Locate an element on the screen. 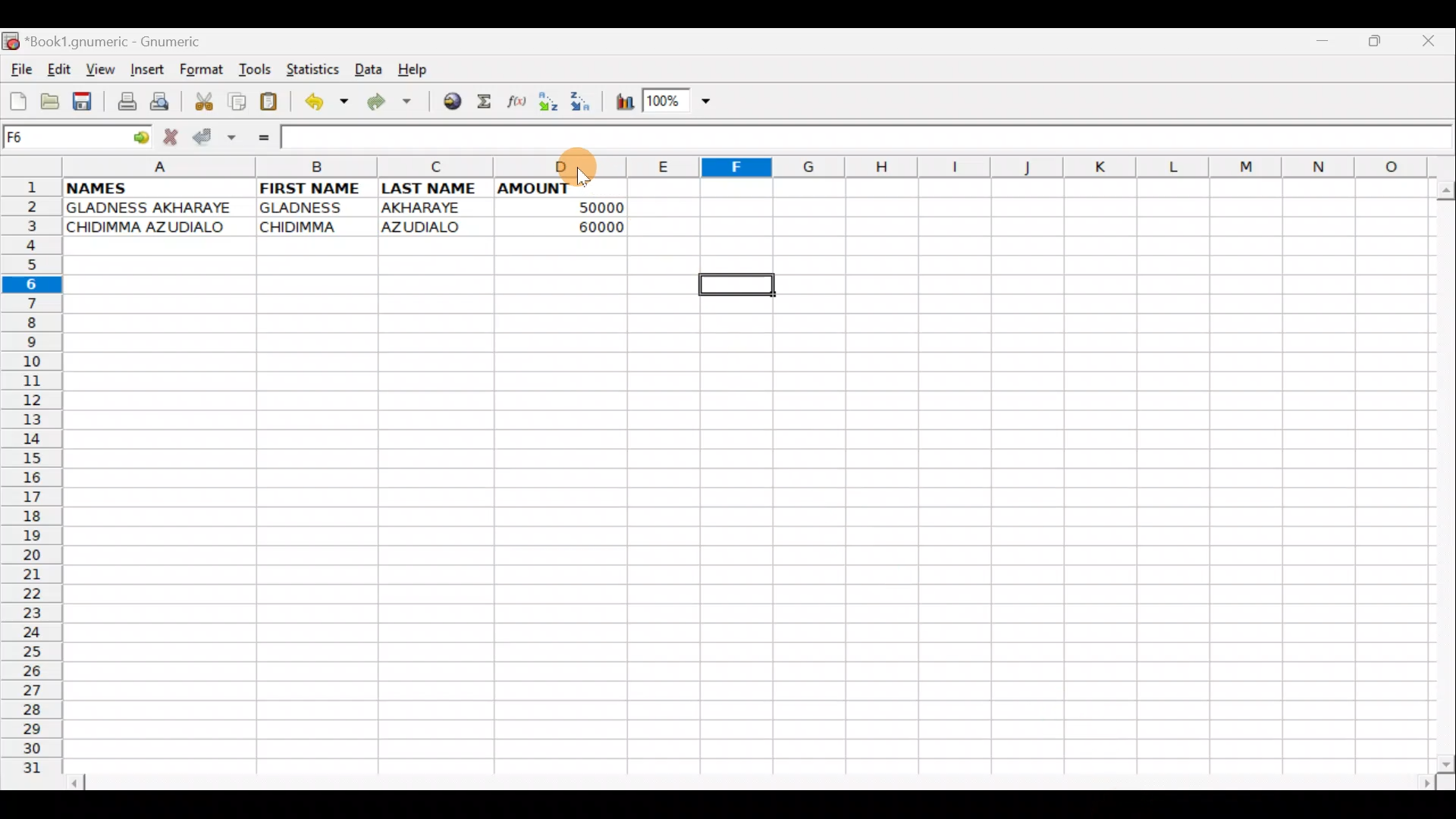  Redo undone action is located at coordinates (386, 102).